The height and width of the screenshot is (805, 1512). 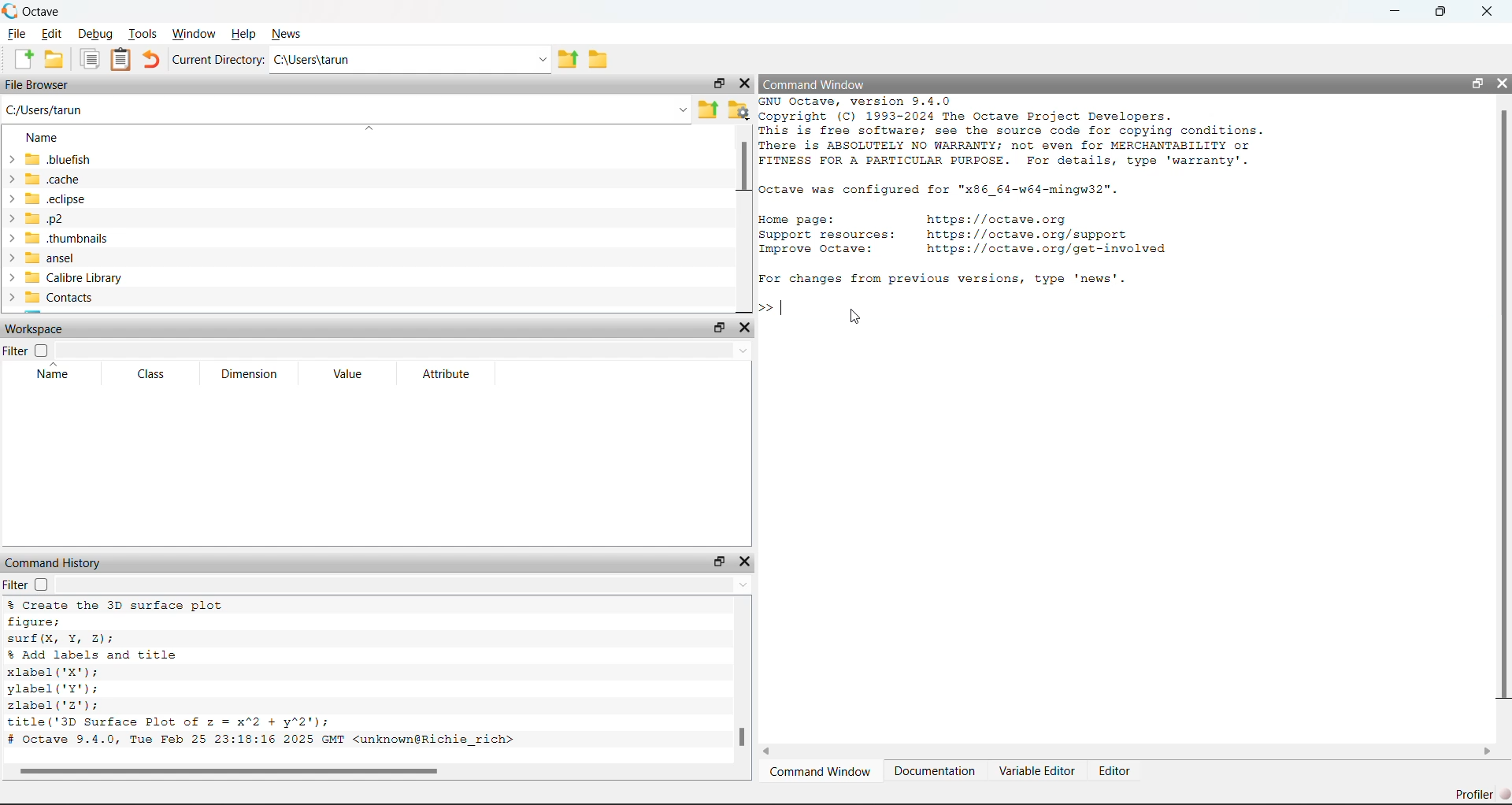 I want to click on Scroll, so click(x=370, y=772).